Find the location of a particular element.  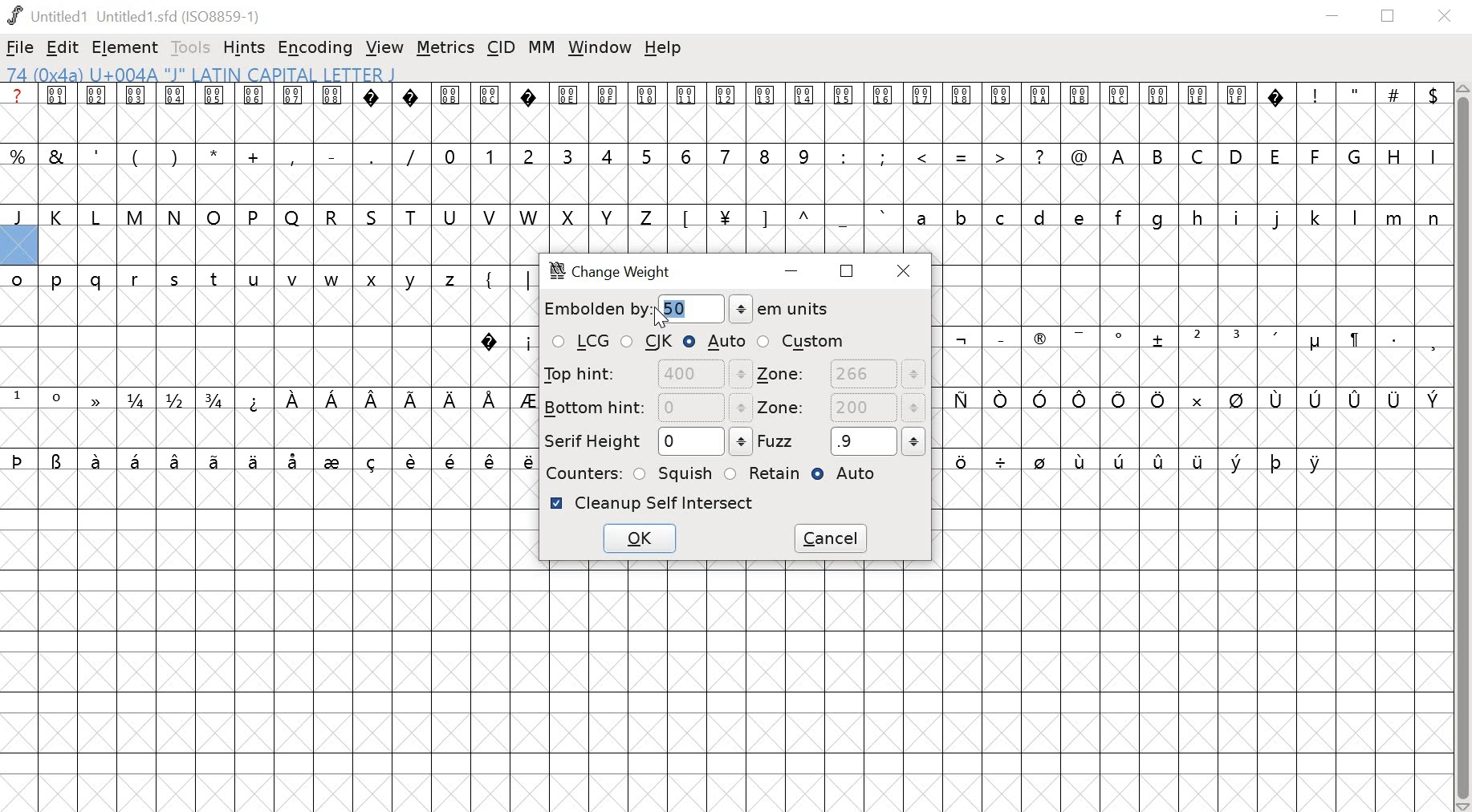

restore down is located at coordinates (1389, 16).